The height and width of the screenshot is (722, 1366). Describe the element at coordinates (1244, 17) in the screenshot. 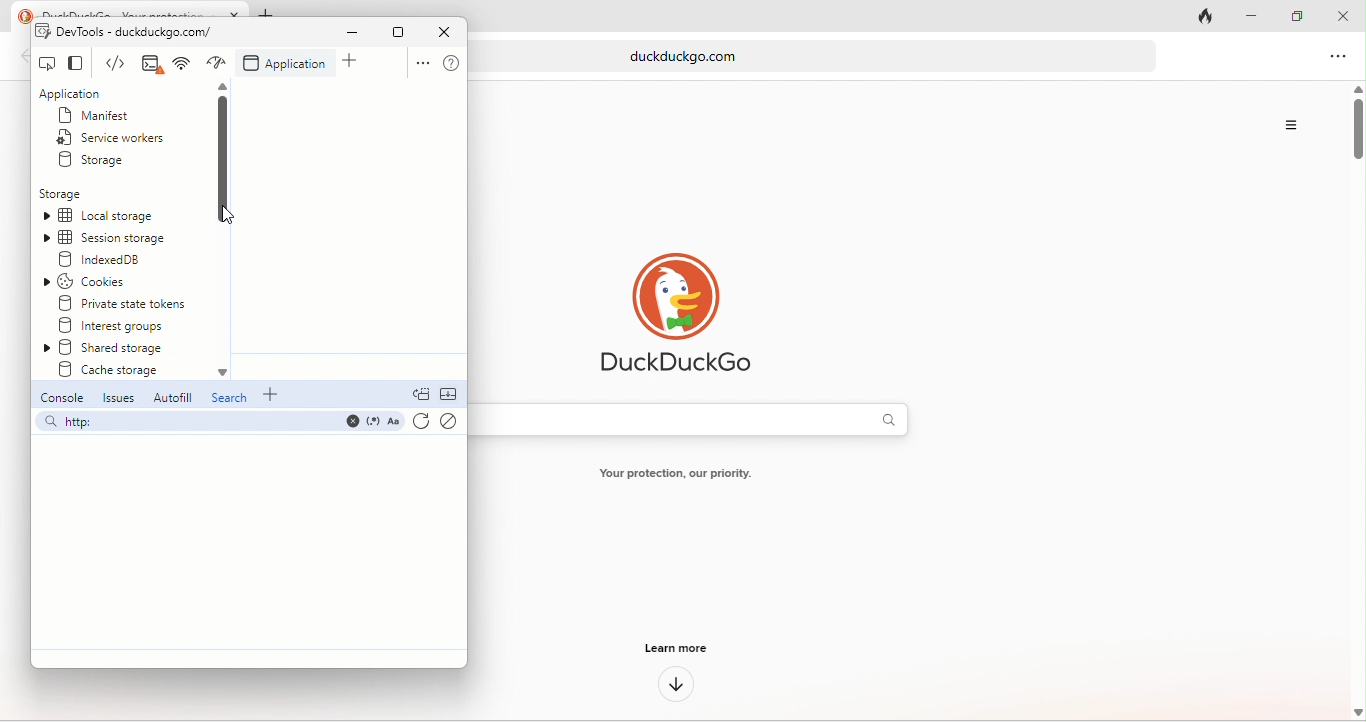

I see `minimize` at that location.